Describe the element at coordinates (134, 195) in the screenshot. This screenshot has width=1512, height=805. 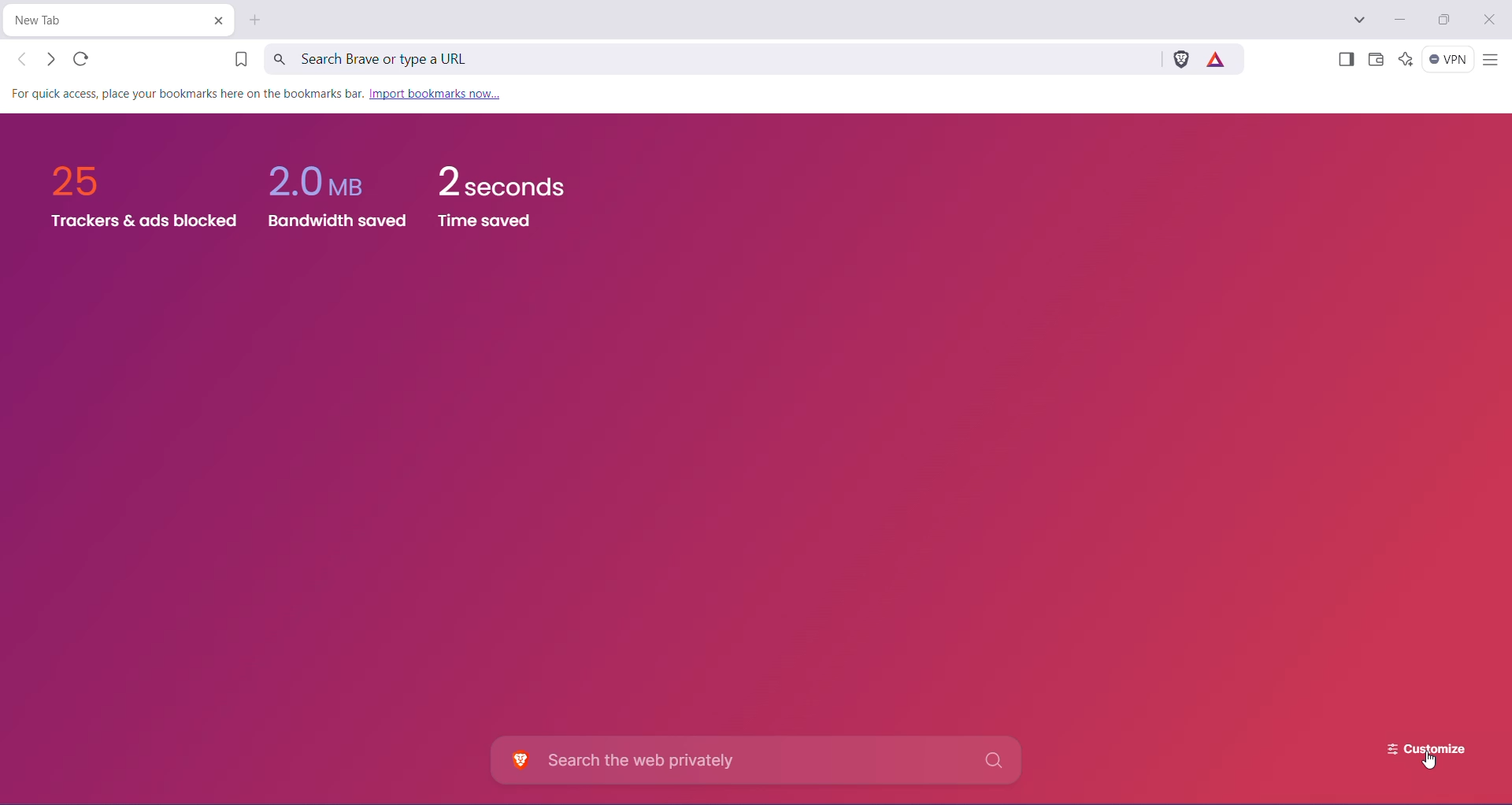
I see `25 trackers & ads blocked` at that location.